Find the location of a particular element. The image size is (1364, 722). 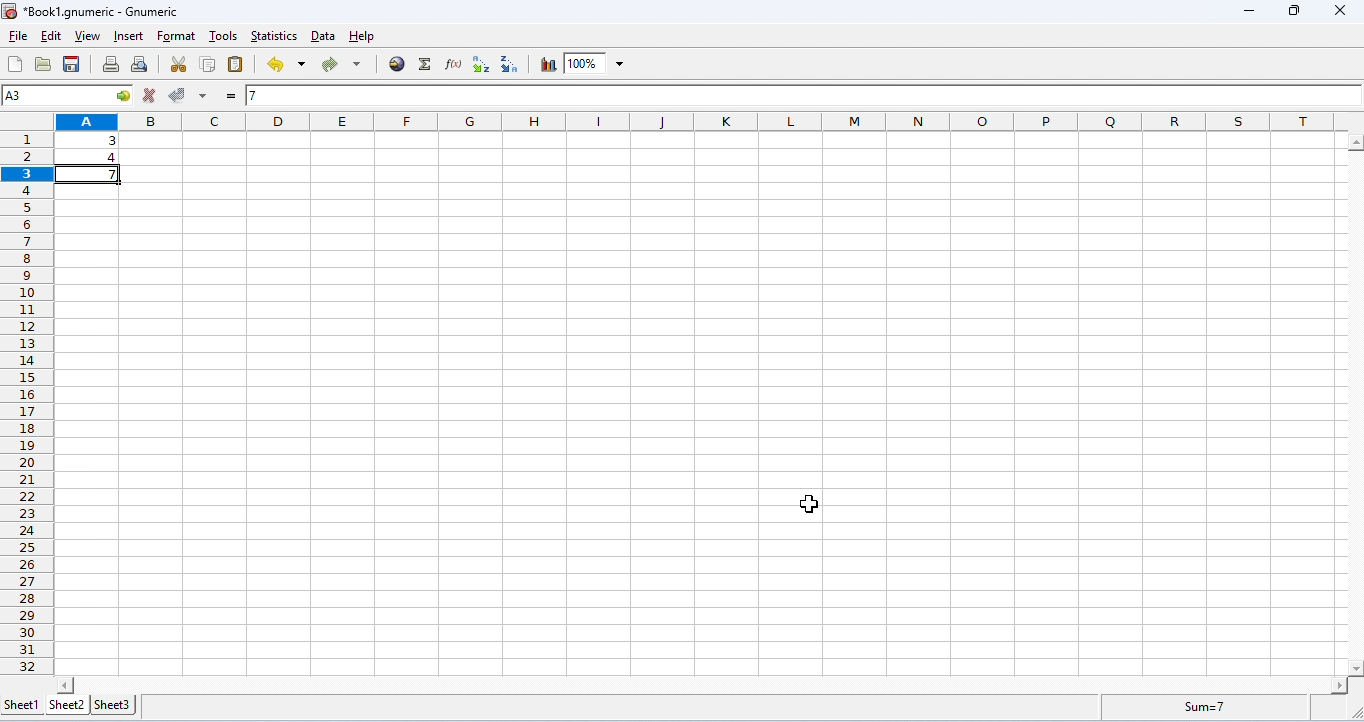

sort descending is located at coordinates (510, 66).